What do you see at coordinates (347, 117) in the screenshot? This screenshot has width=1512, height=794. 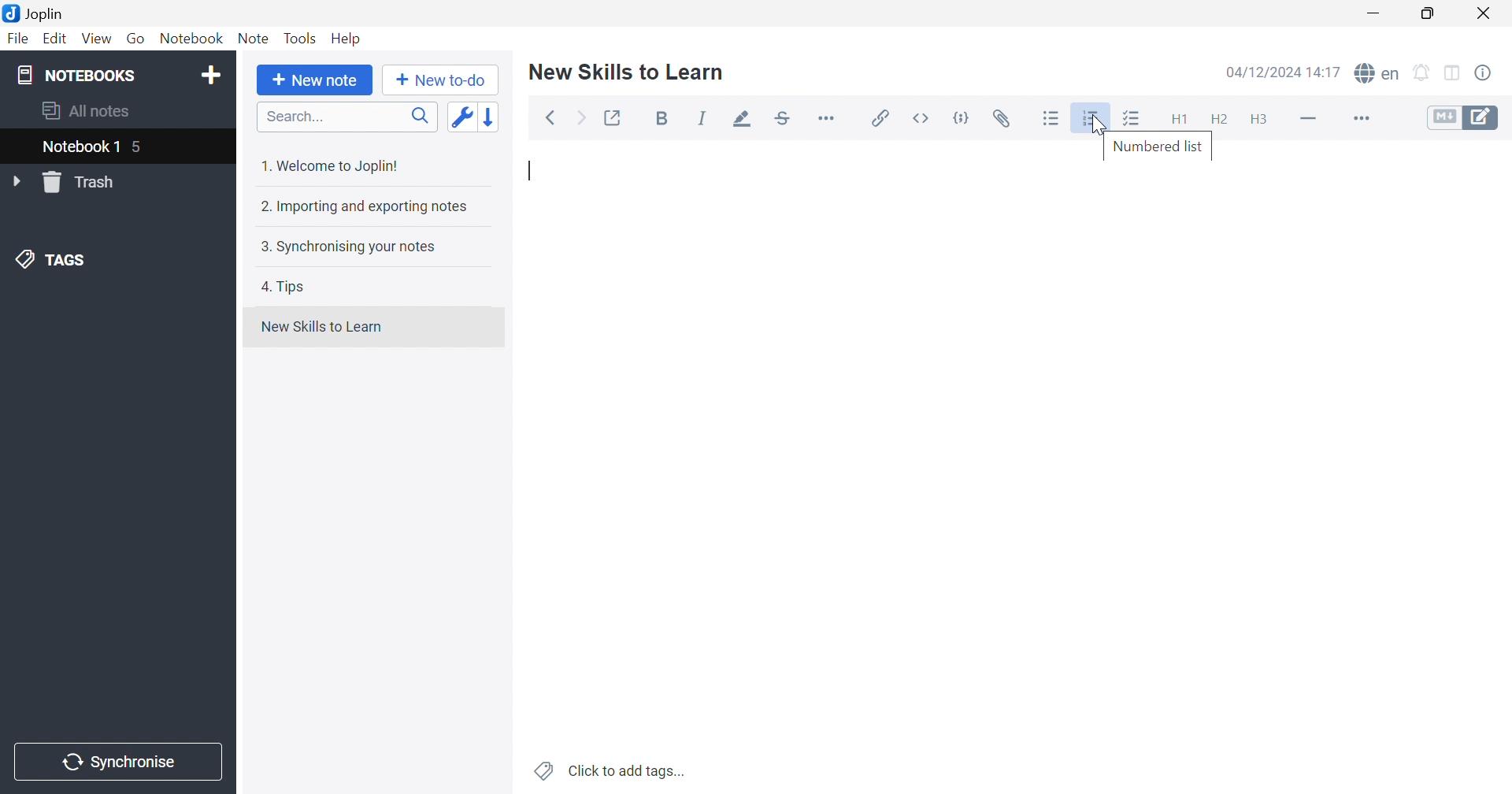 I see `Search...` at bounding box center [347, 117].